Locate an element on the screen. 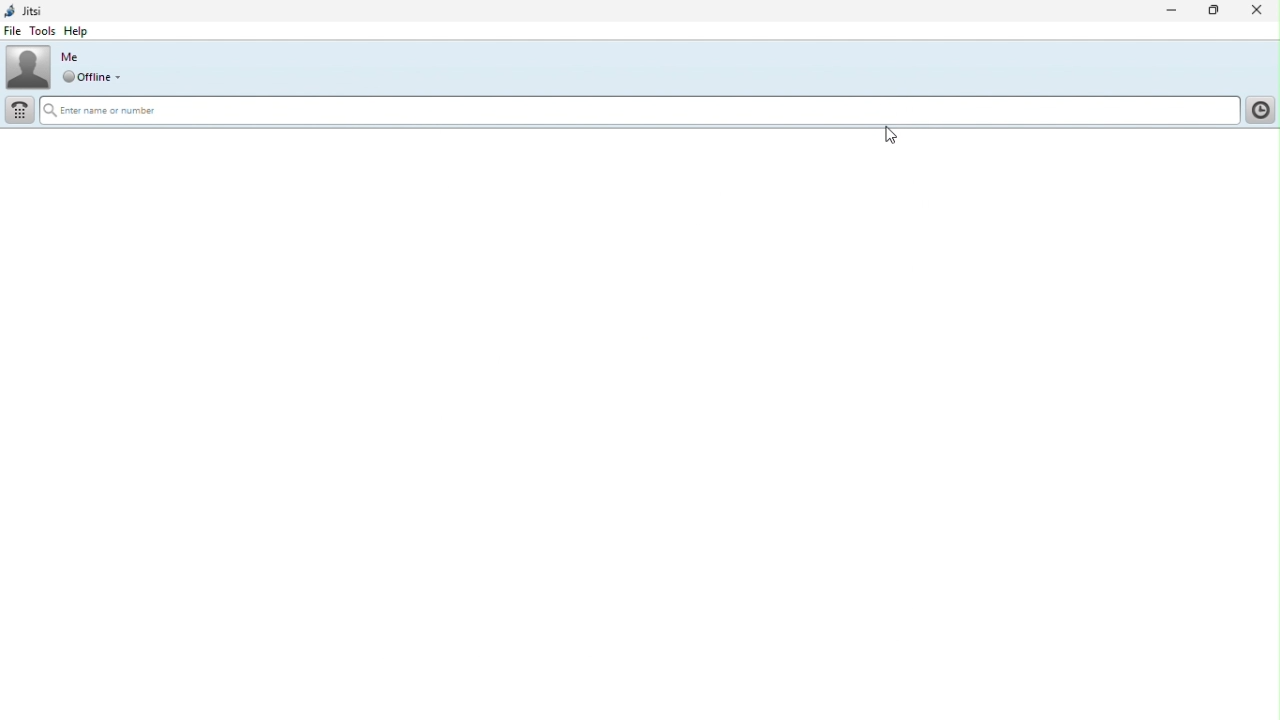  Jitsi is located at coordinates (26, 9).